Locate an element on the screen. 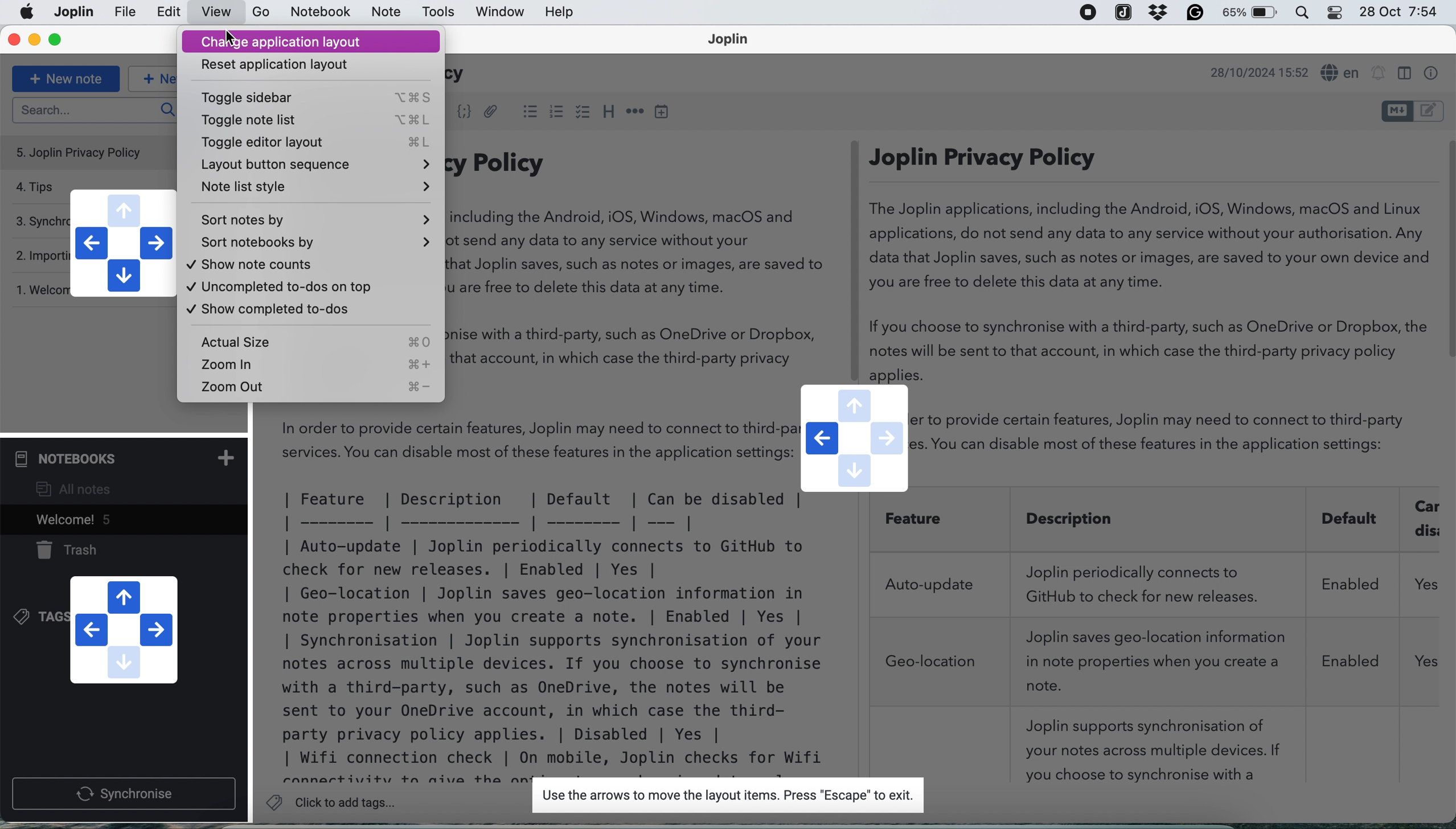  Show note counts is located at coordinates (313, 267).